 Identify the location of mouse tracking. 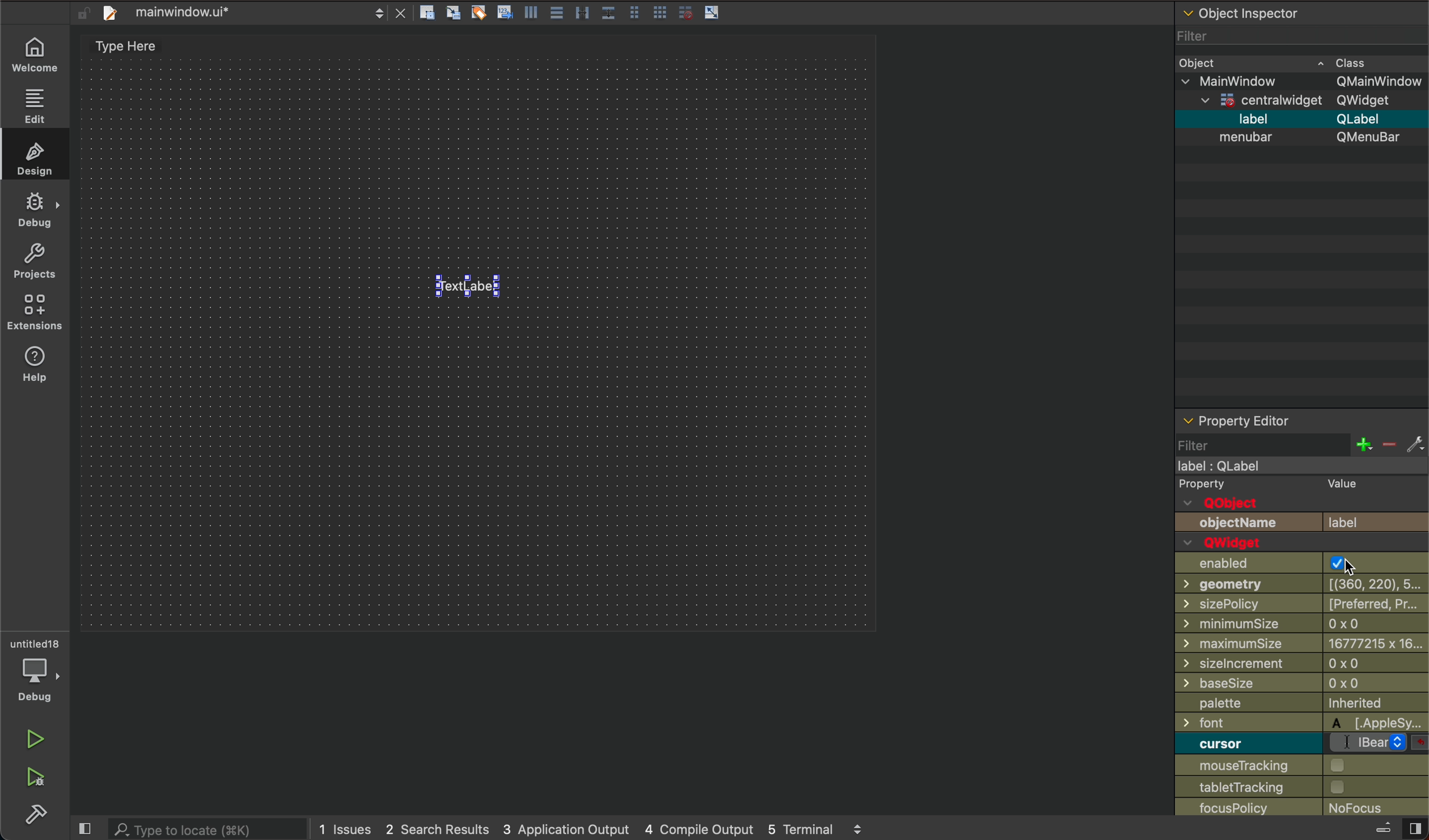
(1244, 766).